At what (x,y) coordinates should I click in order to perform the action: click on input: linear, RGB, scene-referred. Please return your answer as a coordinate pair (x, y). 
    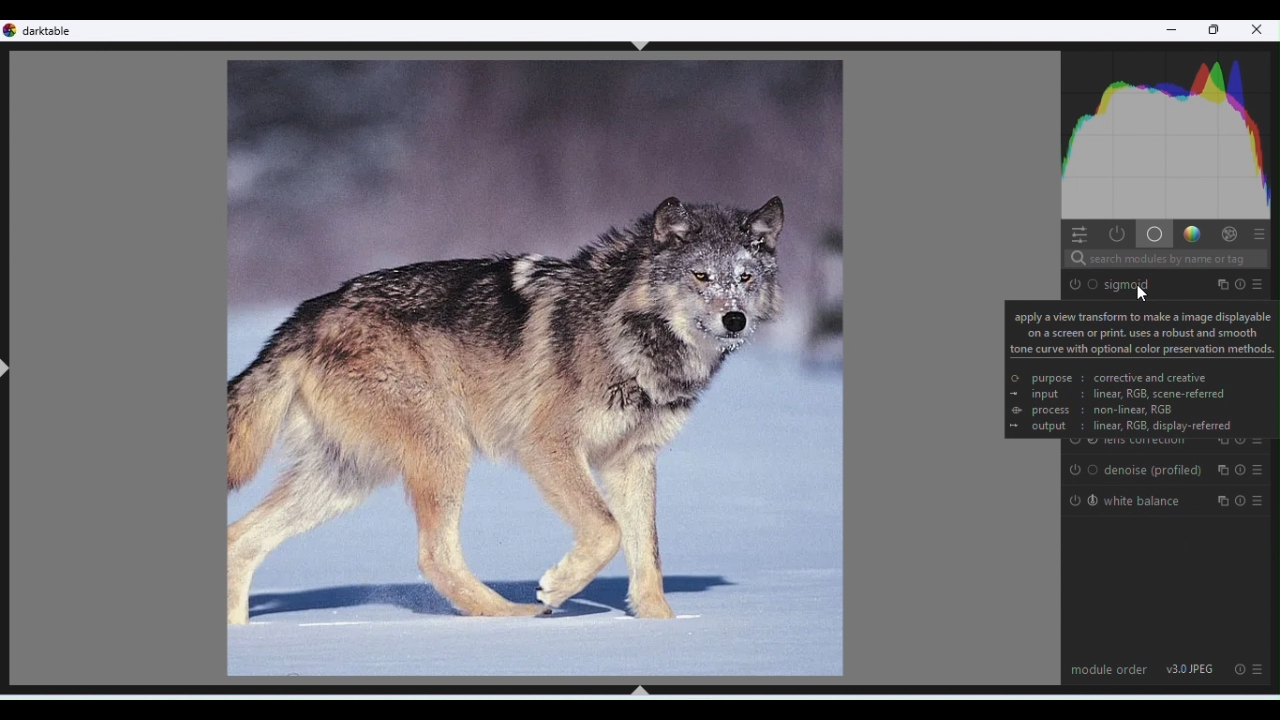
    Looking at the image, I should click on (1128, 394).